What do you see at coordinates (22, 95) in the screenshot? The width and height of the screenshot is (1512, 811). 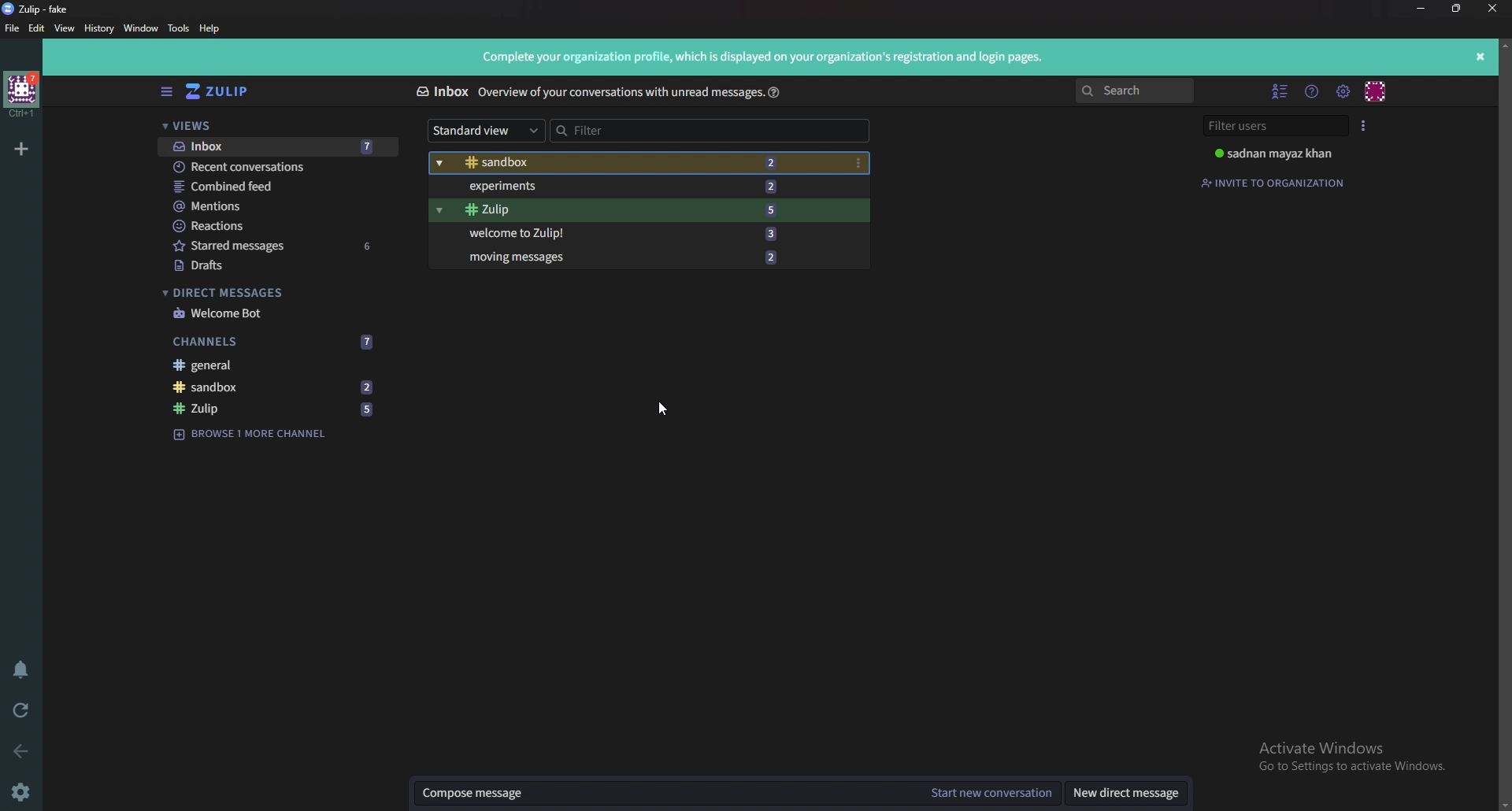 I see `home` at bounding box center [22, 95].